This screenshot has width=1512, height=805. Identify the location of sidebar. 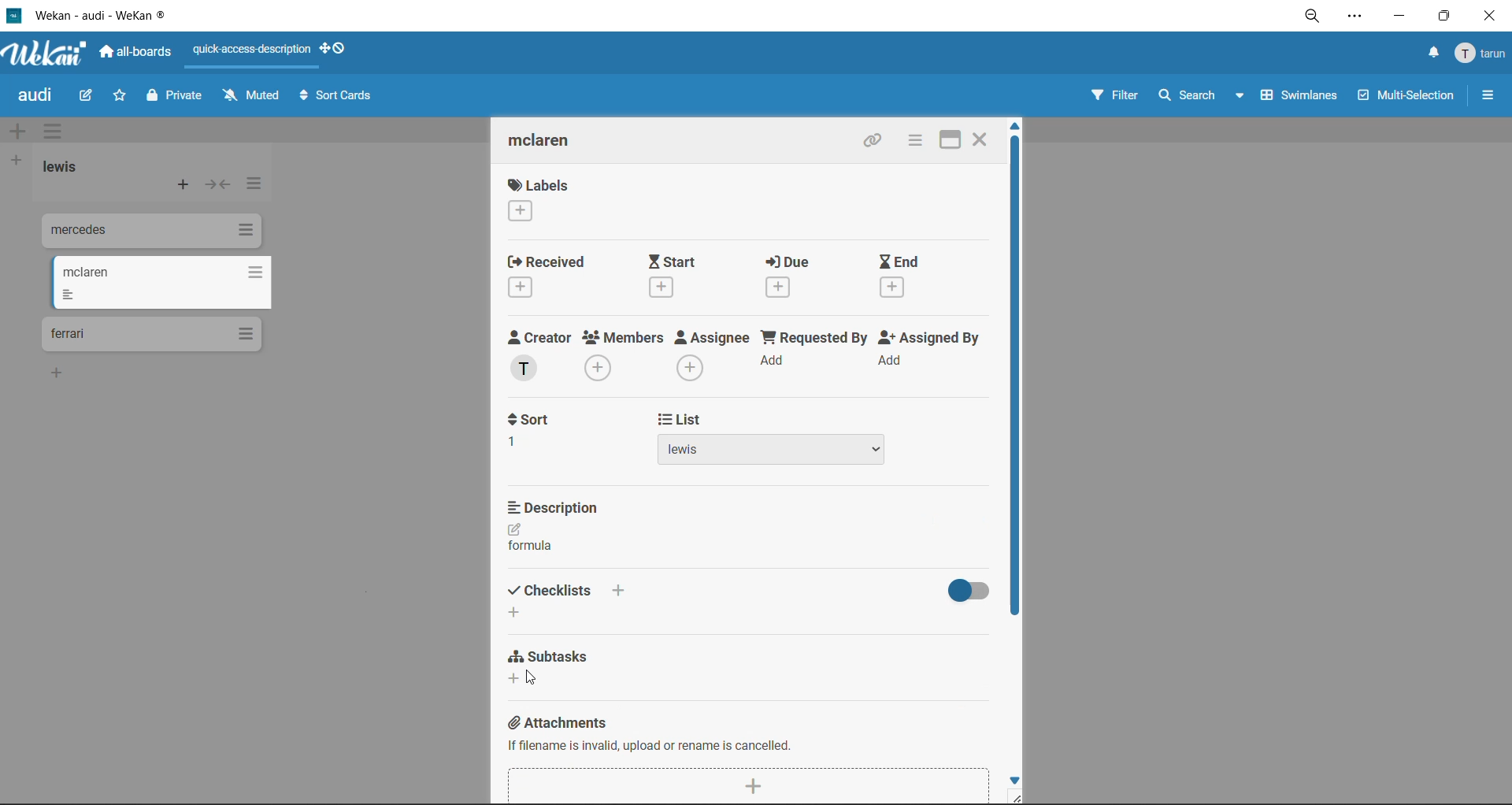
(1488, 95).